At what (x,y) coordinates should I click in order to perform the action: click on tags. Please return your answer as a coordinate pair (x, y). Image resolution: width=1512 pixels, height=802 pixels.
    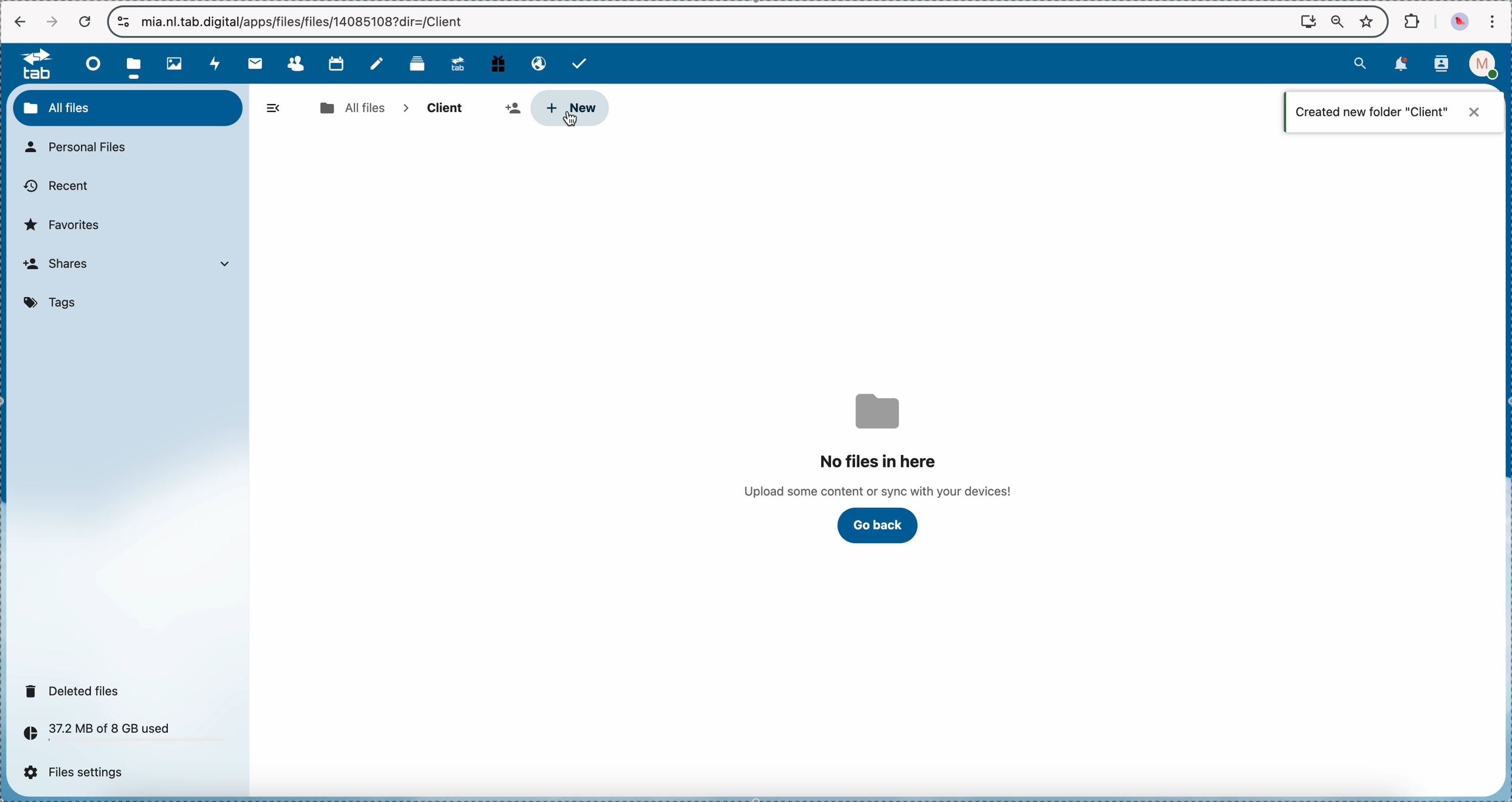
    Looking at the image, I should click on (54, 304).